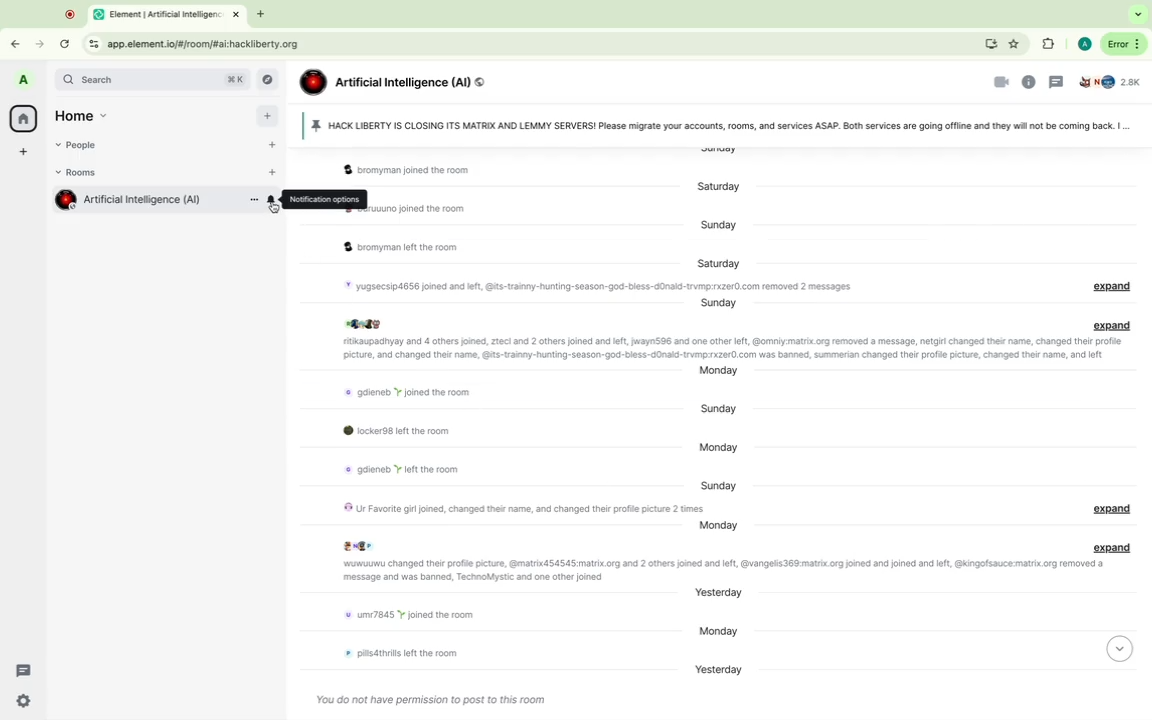 This screenshot has height=720, width=1152. Describe the element at coordinates (25, 82) in the screenshot. I see `Profile` at that location.